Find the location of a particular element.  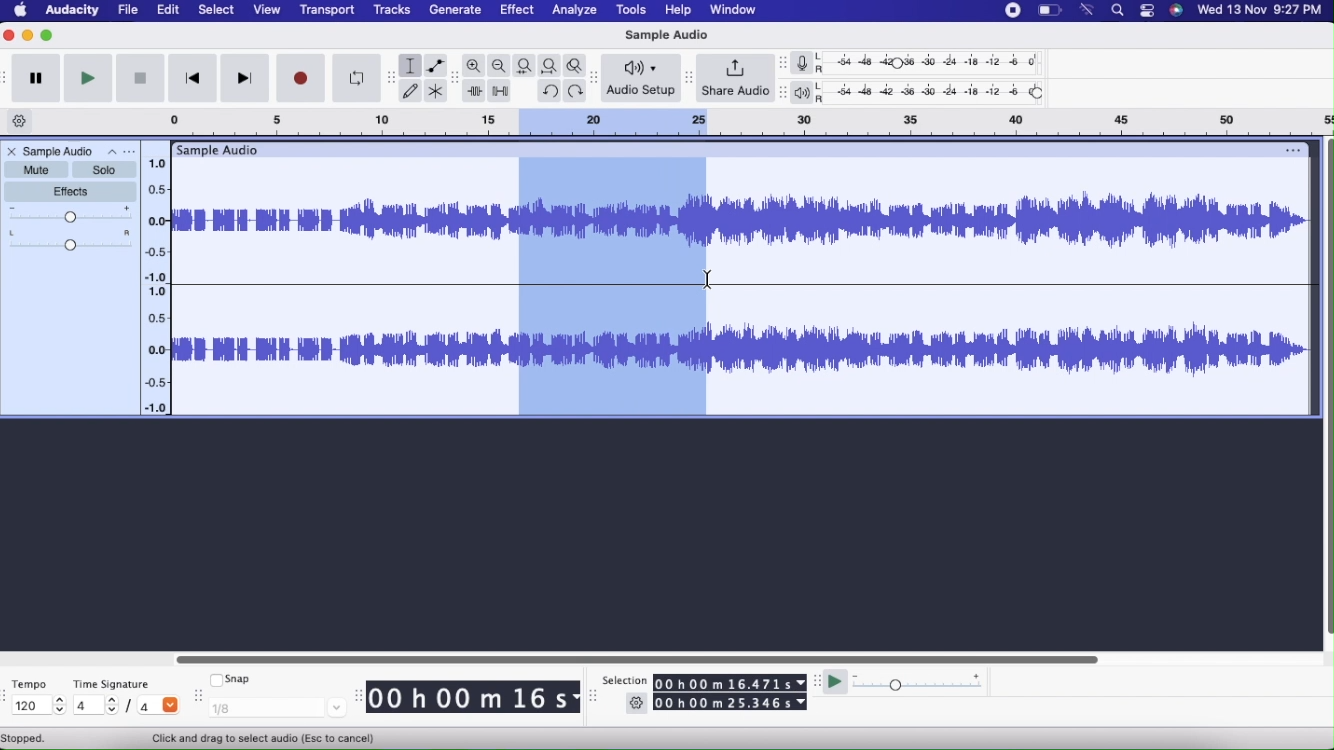

Selection is located at coordinates (624, 681).